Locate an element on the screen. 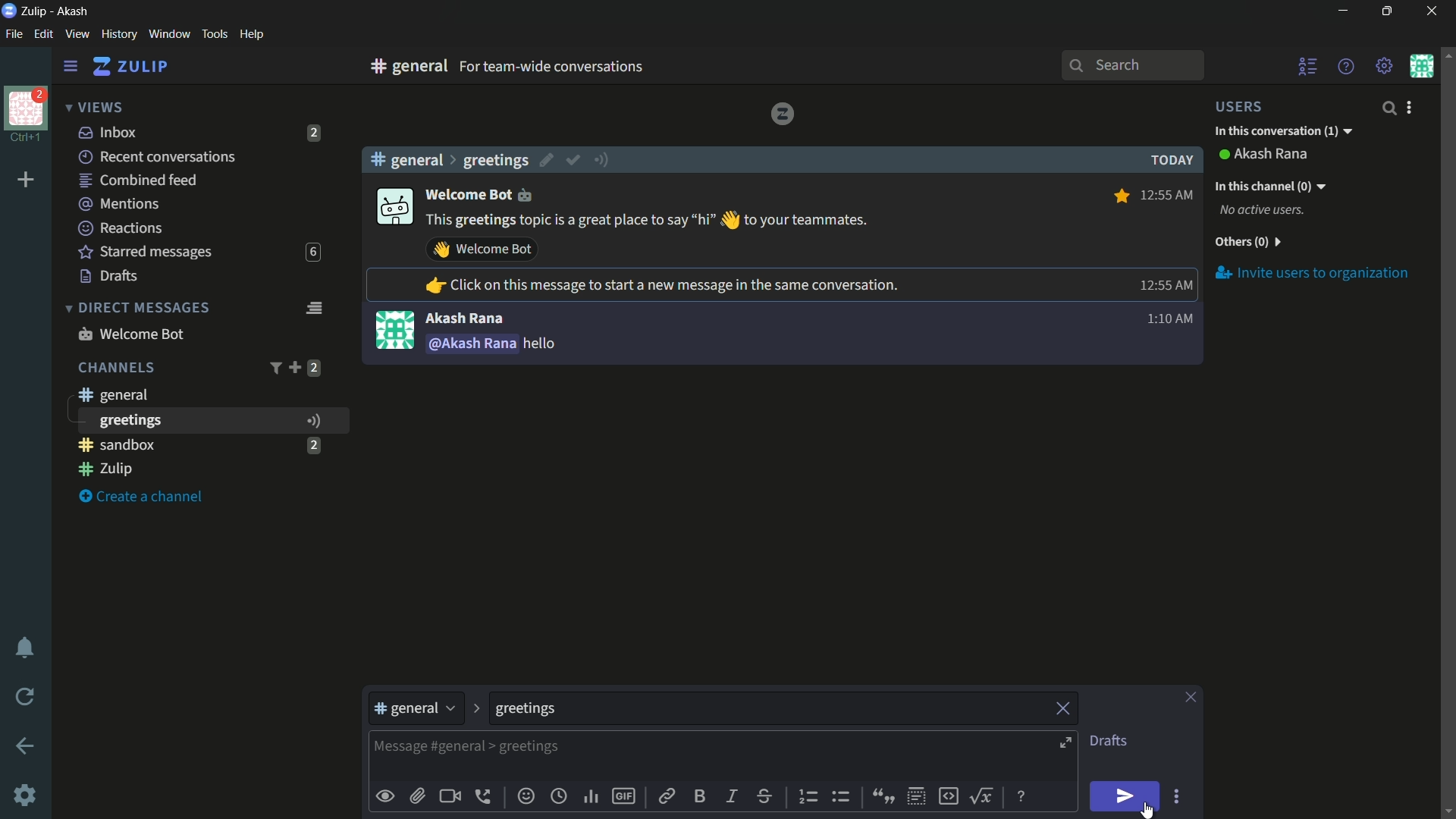  Settings is located at coordinates (25, 795).